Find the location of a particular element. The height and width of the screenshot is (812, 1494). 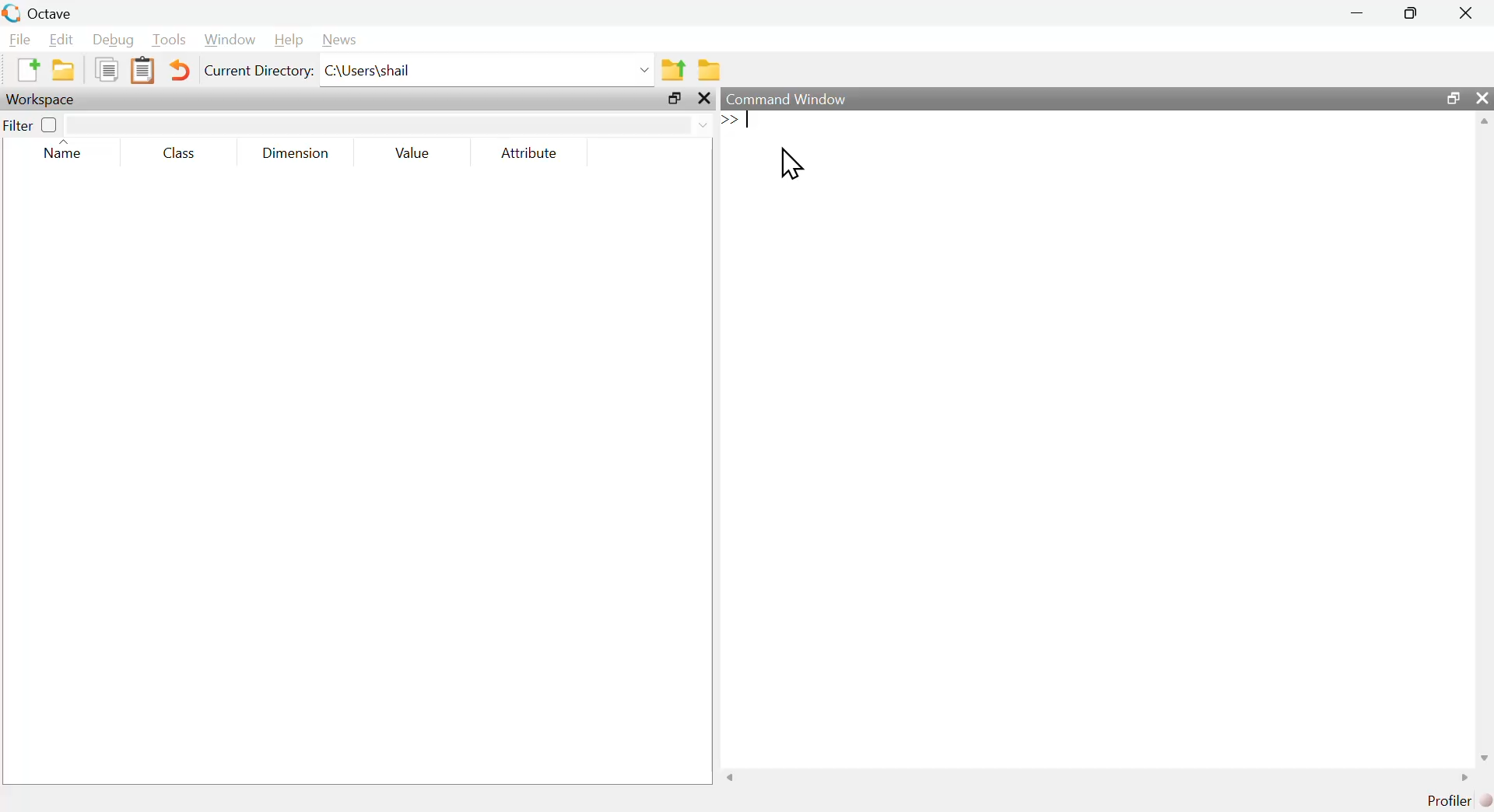

profiler is located at coordinates (1454, 801).